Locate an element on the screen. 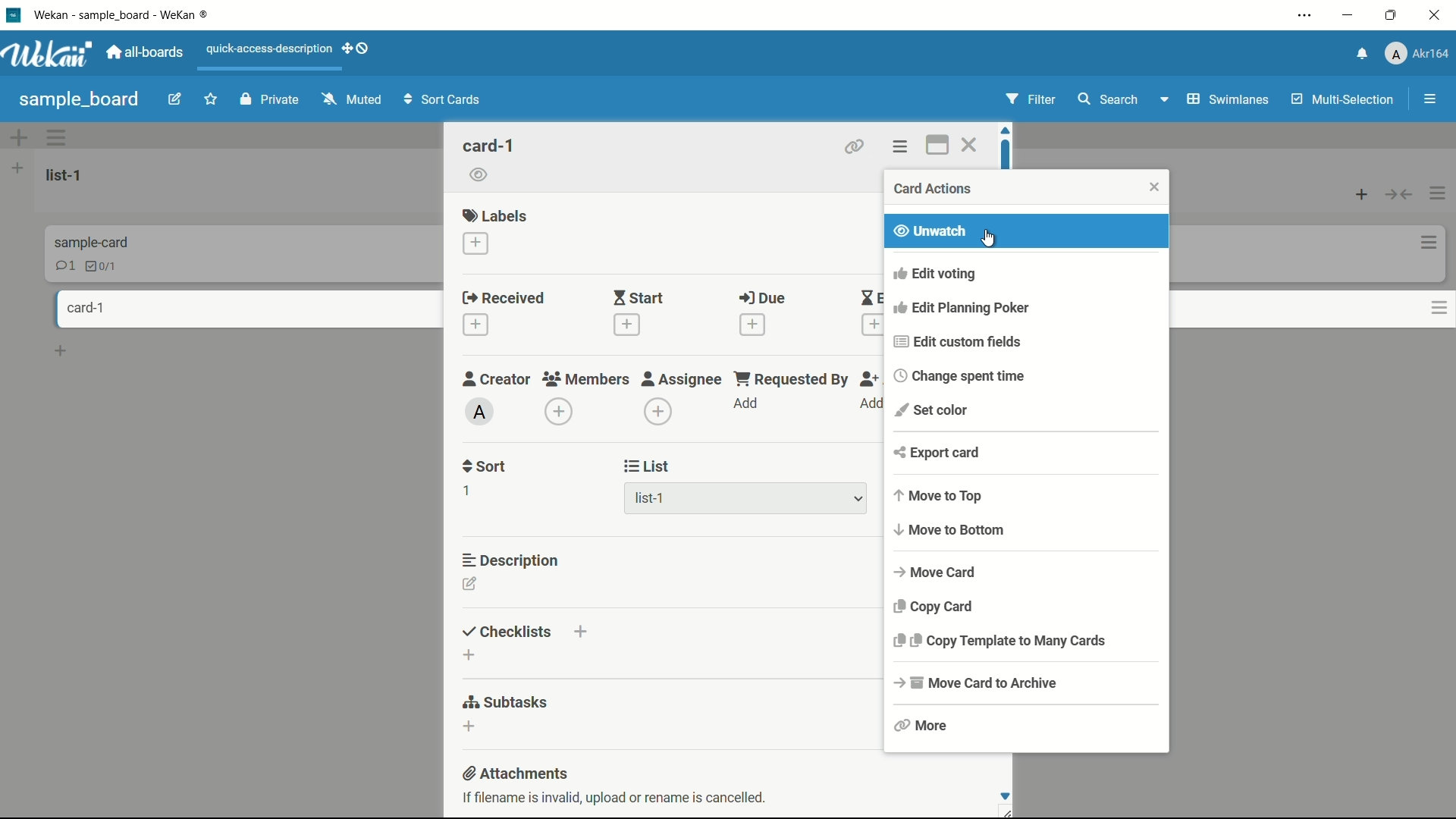 The image size is (1456, 819). creator is located at coordinates (497, 380).